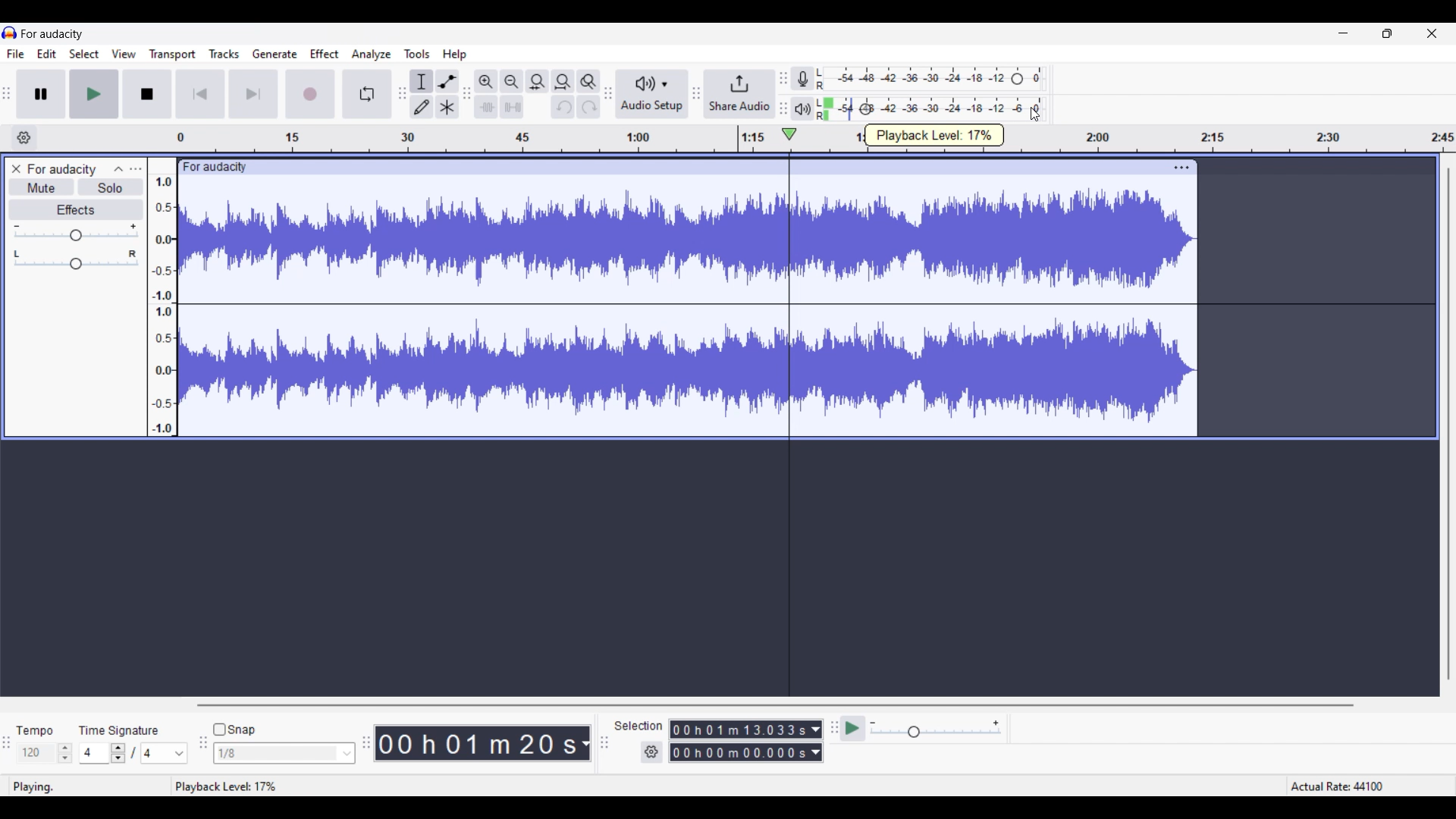 Image resolution: width=1456 pixels, height=819 pixels. I want to click on Select menu, so click(84, 53).